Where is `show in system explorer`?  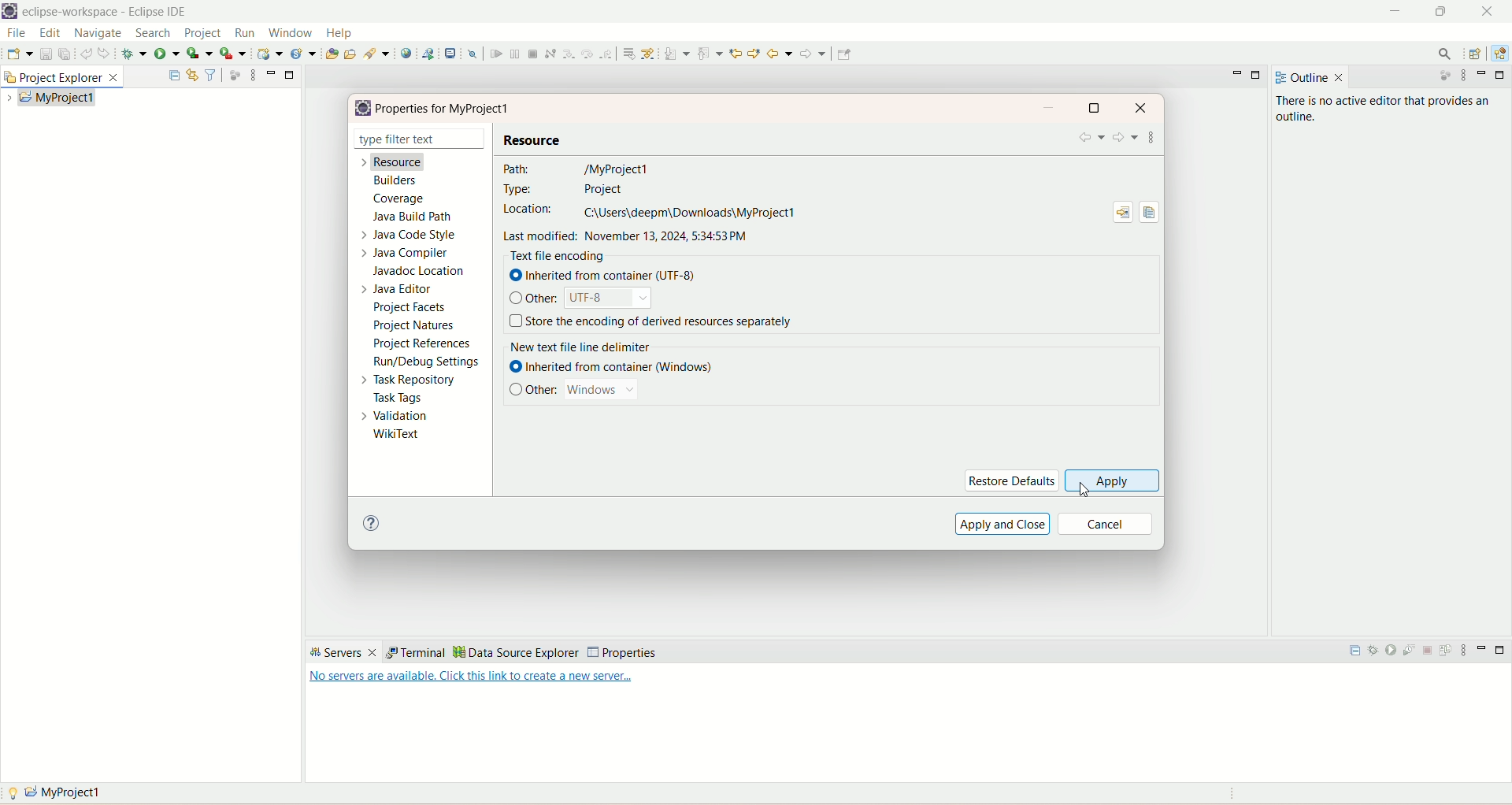 show in system explorer is located at coordinates (1123, 214).